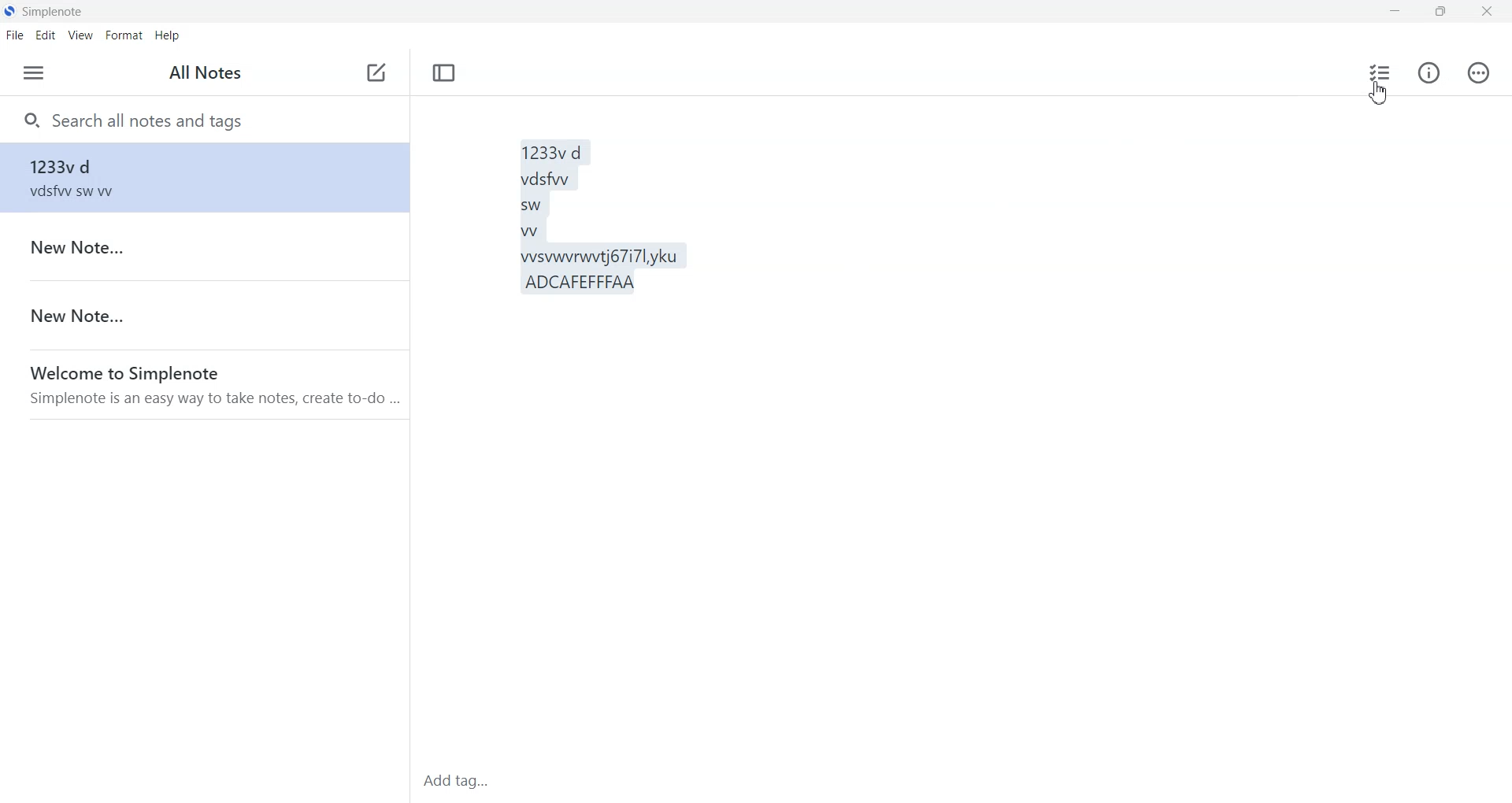 This screenshot has height=803, width=1512. I want to click on Edit, so click(46, 35).